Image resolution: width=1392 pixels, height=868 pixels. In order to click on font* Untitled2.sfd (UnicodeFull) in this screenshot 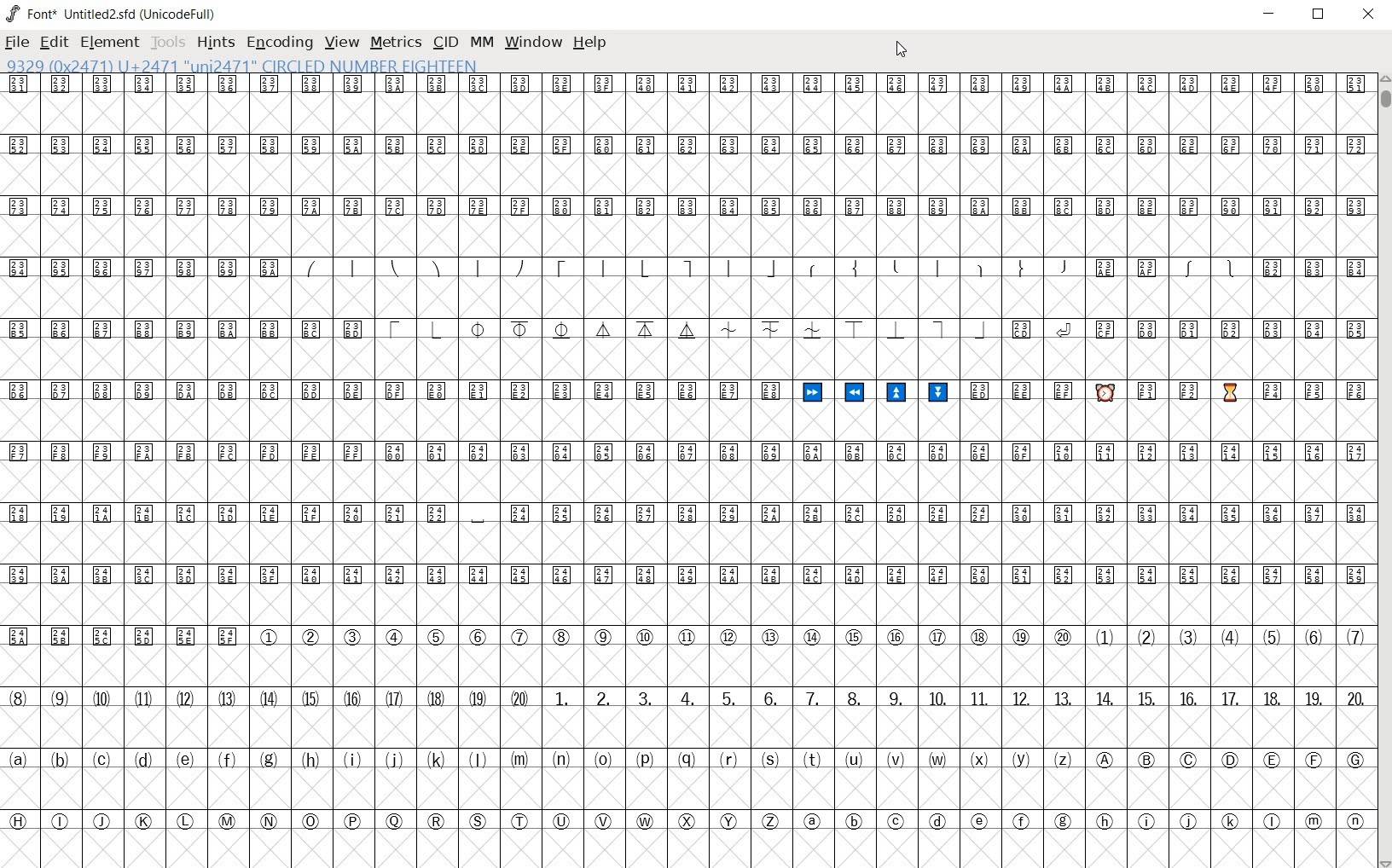, I will do `click(113, 14)`.